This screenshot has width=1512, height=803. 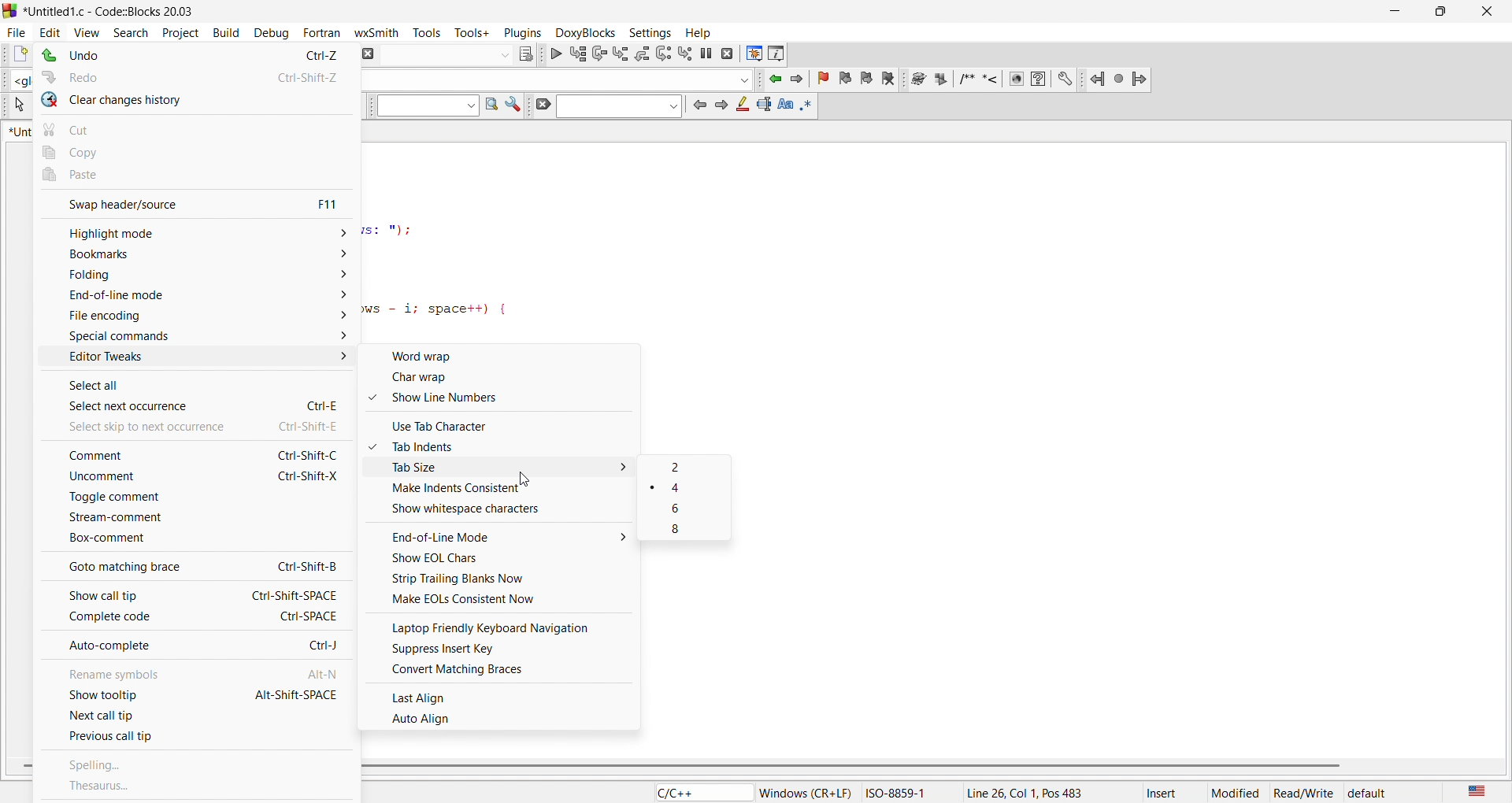 I want to click on show eol charts, so click(x=505, y=559).